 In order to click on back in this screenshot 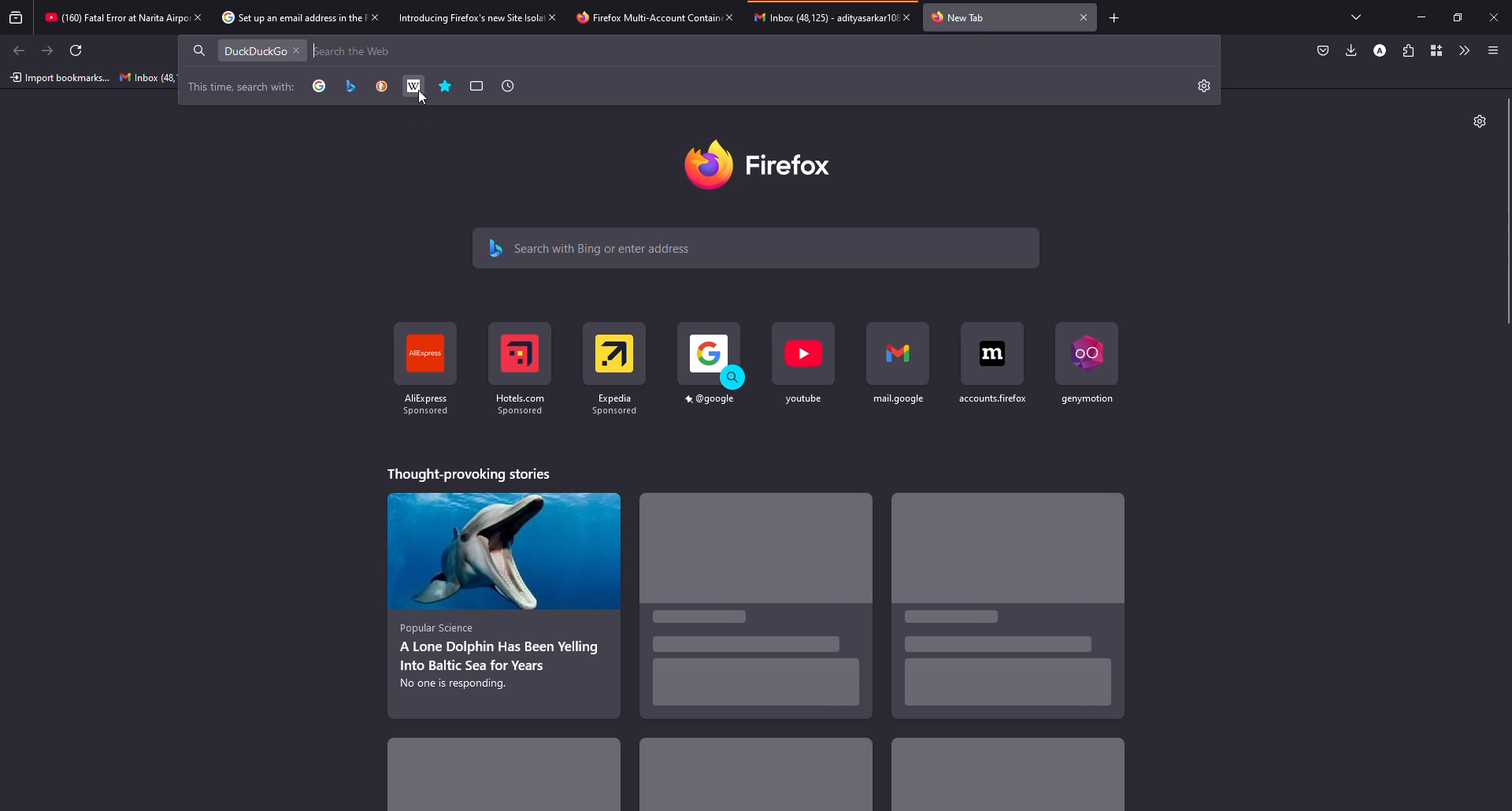, I will do `click(20, 51)`.